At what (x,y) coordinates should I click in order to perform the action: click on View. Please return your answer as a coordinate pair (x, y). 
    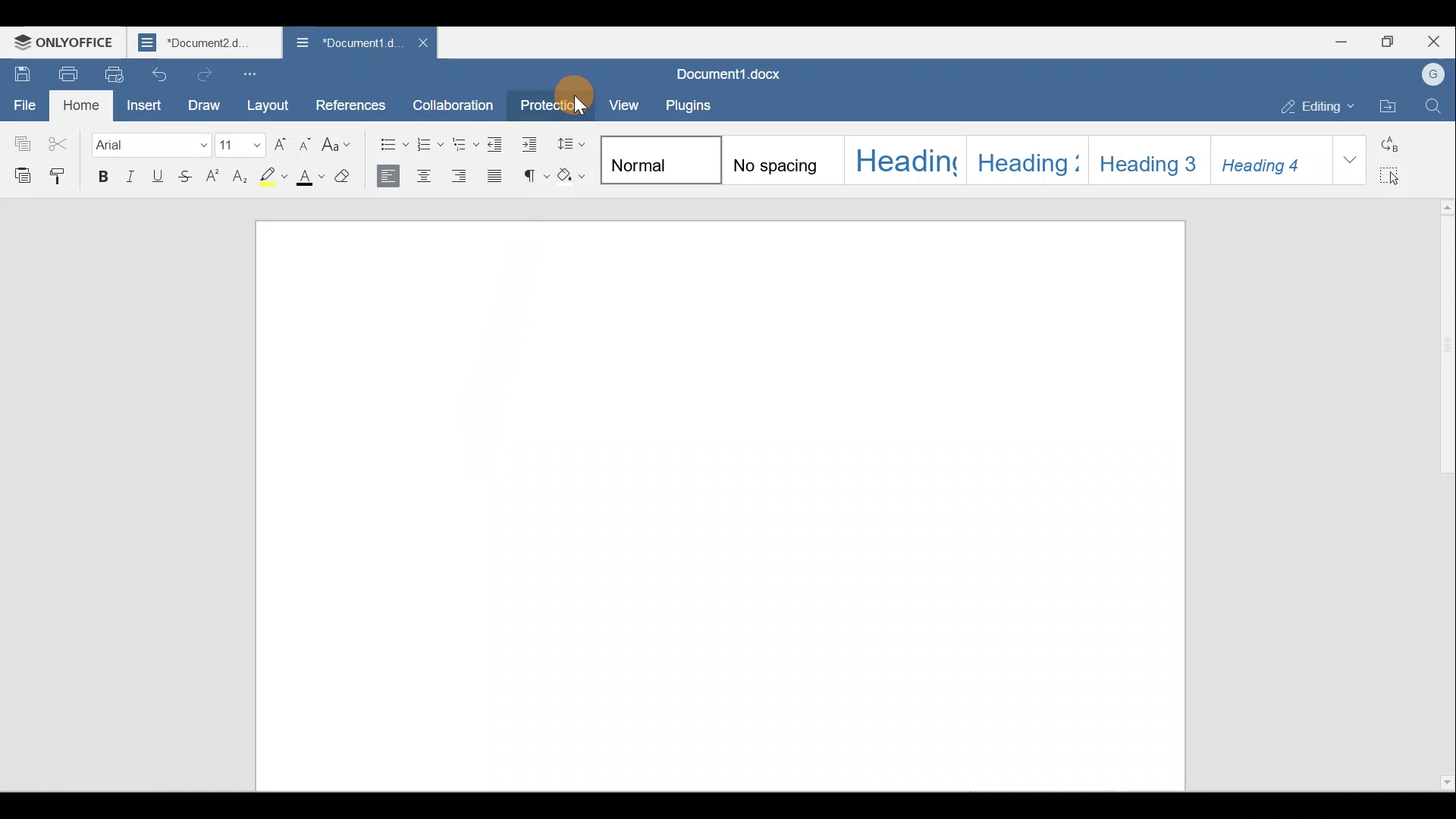
    Looking at the image, I should click on (626, 104).